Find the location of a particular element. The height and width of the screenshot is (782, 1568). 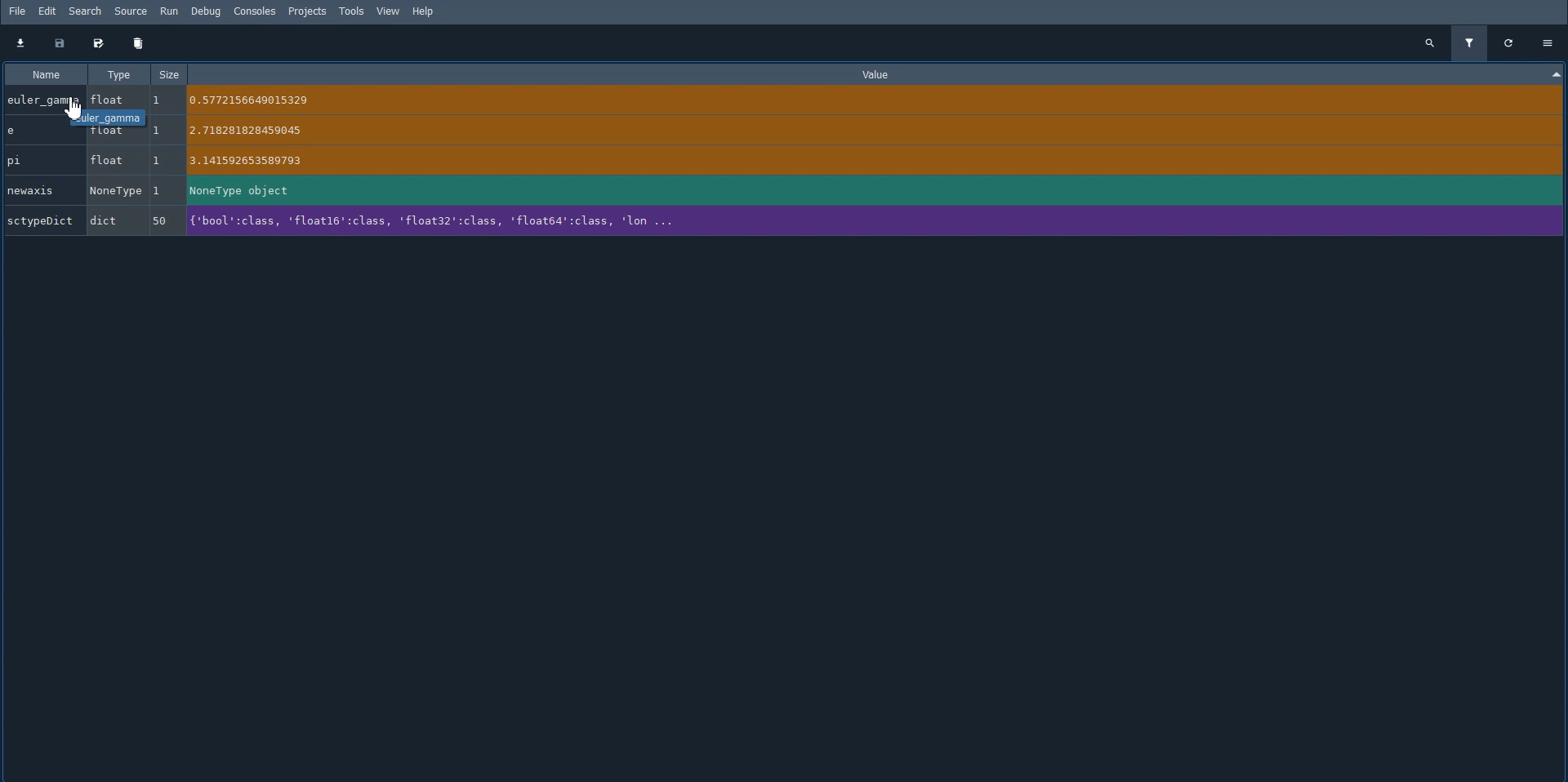

View is located at coordinates (389, 11).